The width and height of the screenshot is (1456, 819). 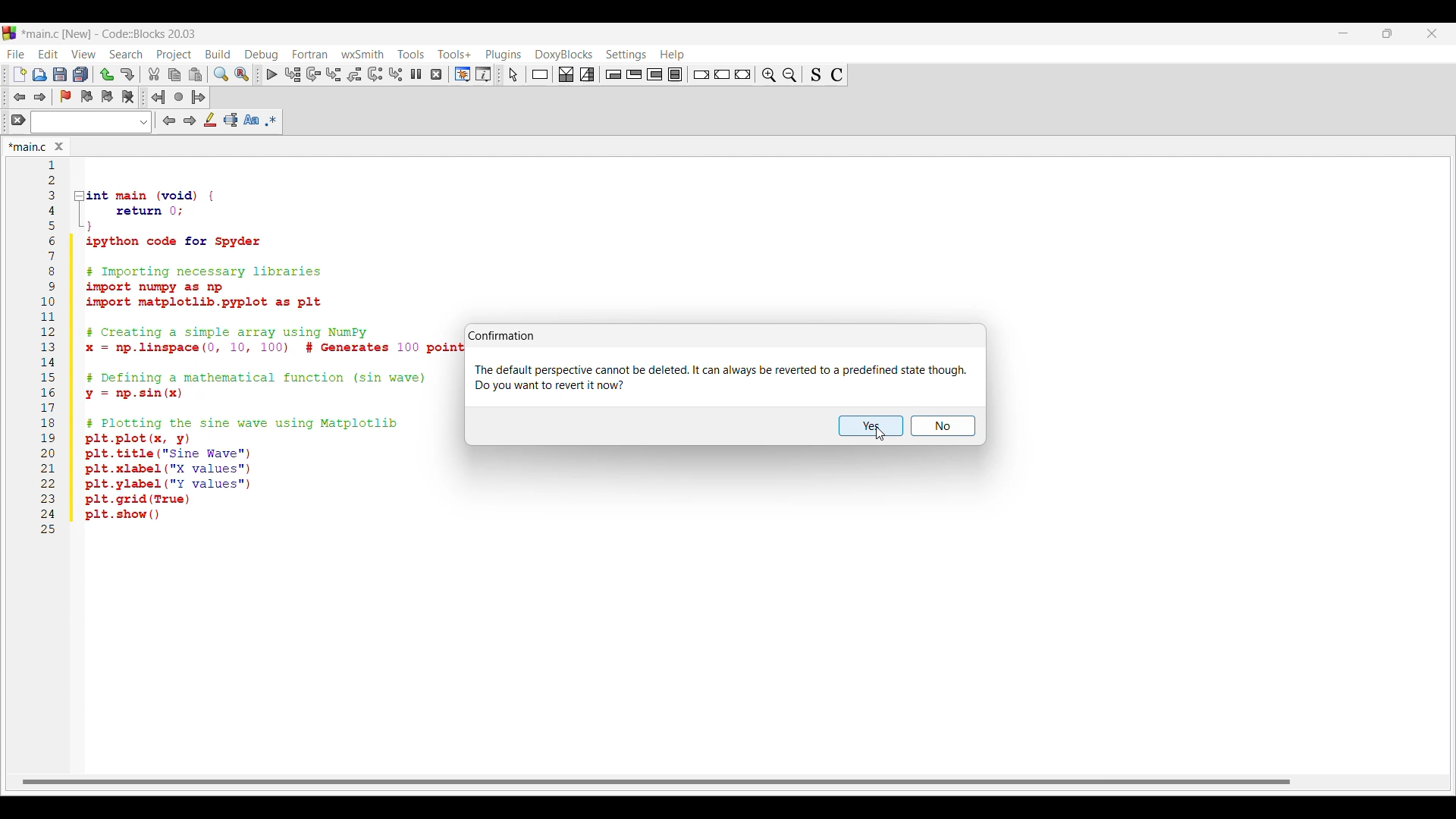 I want to click on Match case, so click(x=251, y=120).